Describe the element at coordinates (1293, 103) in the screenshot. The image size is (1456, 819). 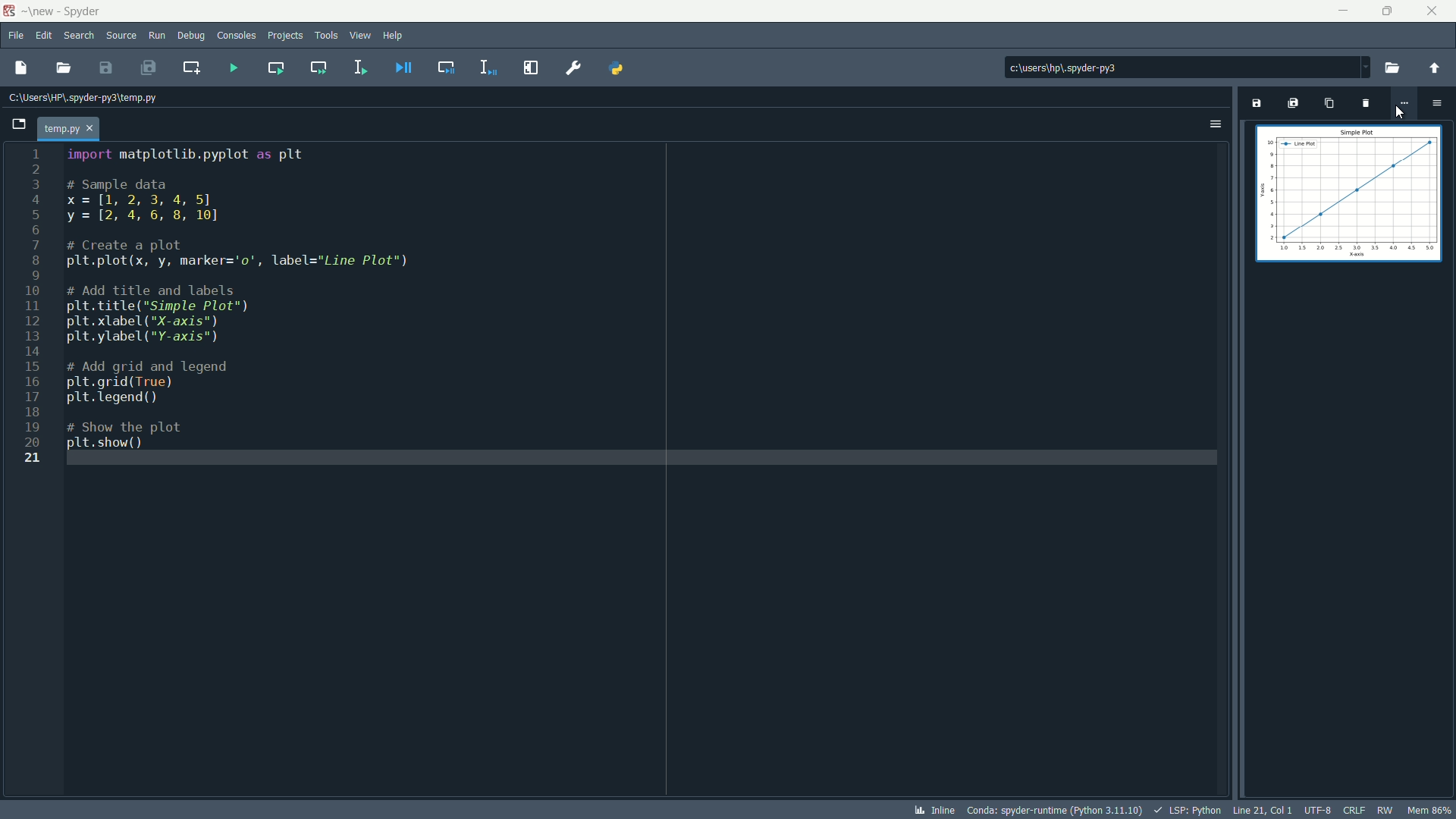
I see `save all plots` at that location.